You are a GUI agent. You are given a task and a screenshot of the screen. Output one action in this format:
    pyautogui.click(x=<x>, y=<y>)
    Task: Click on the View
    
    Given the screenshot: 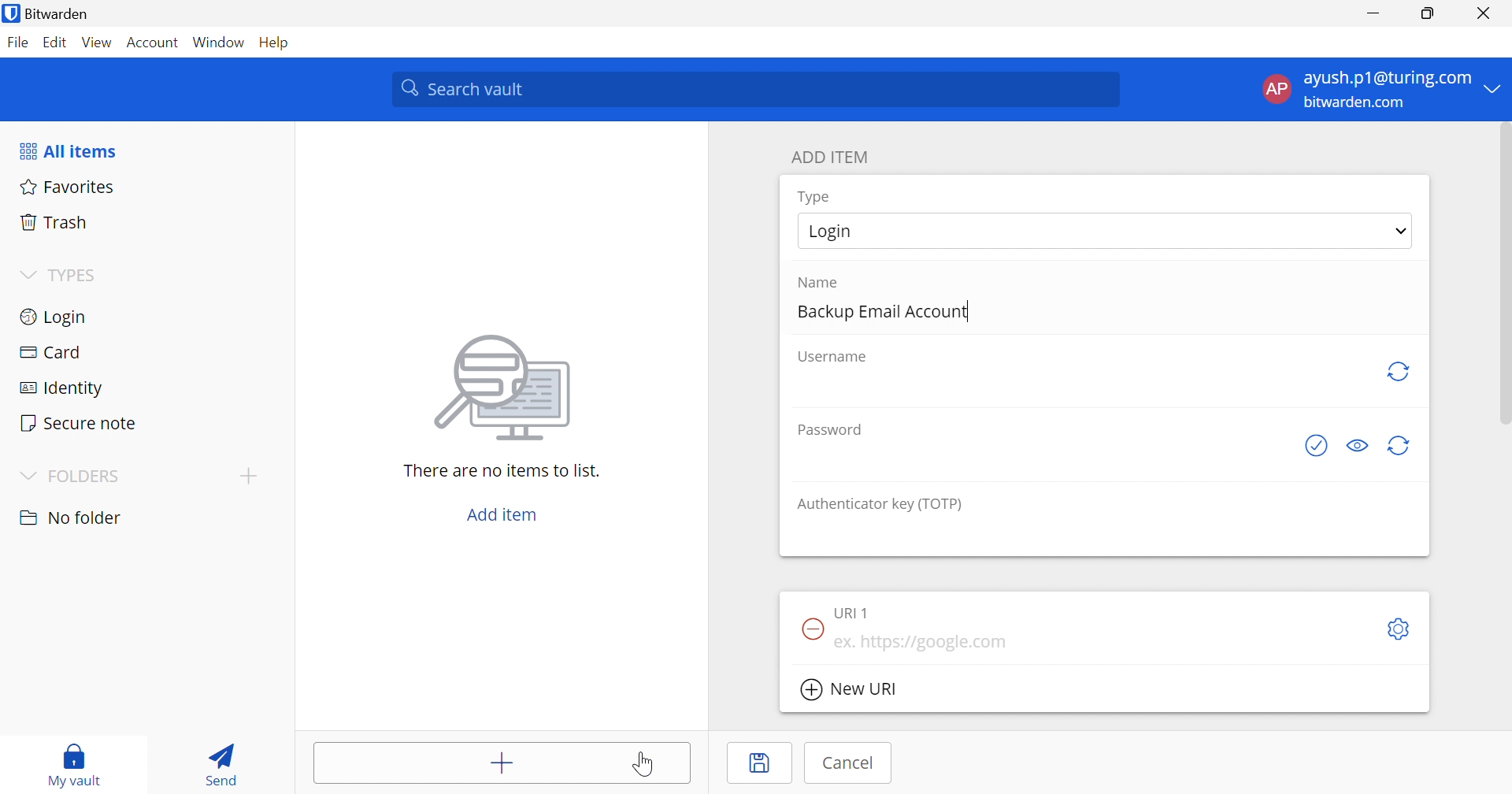 What is the action you would take?
    pyautogui.click(x=98, y=43)
    